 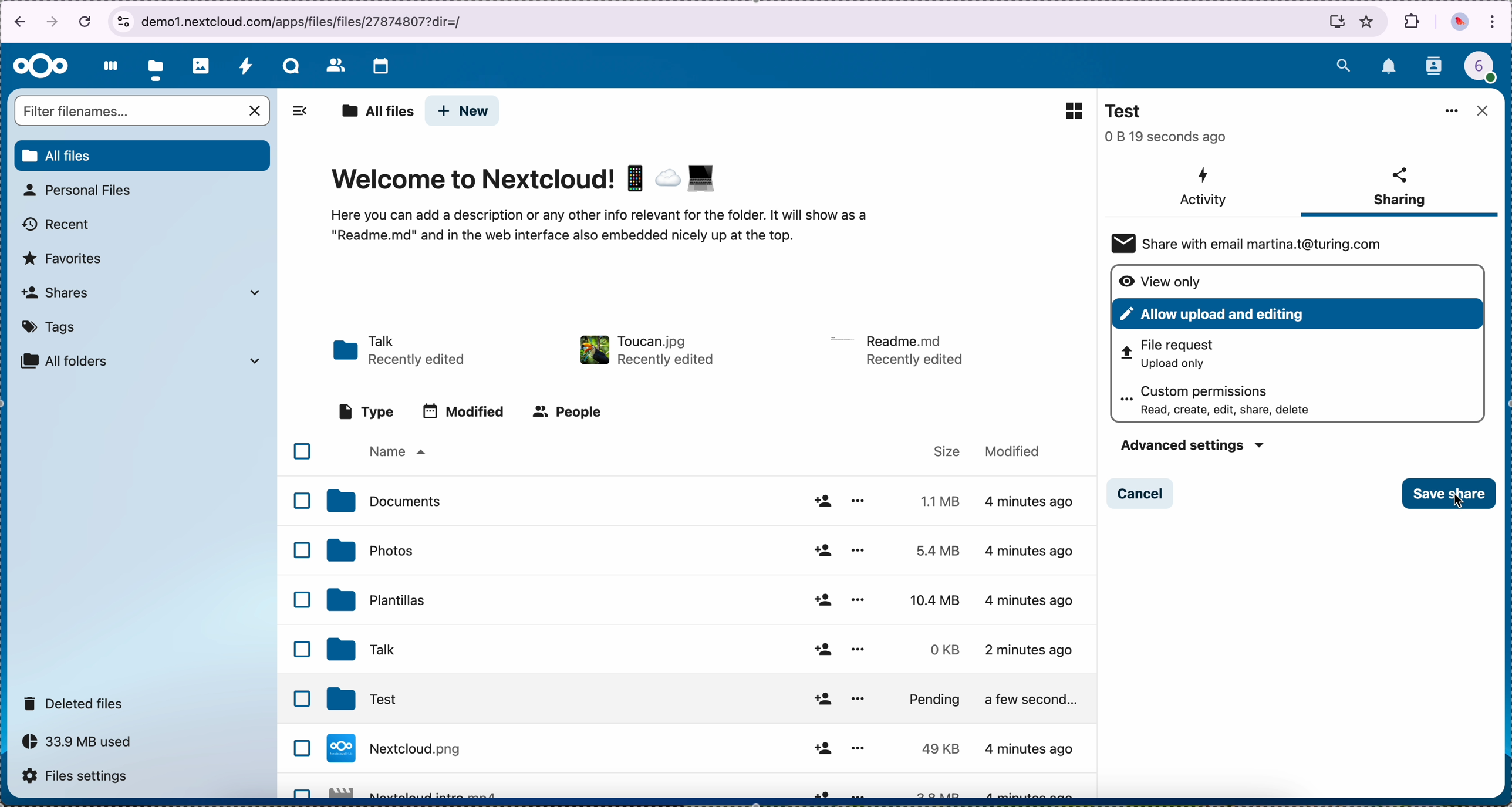 What do you see at coordinates (1399, 190) in the screenshot?
I see `sharing` at bounding box center [1399, 190].